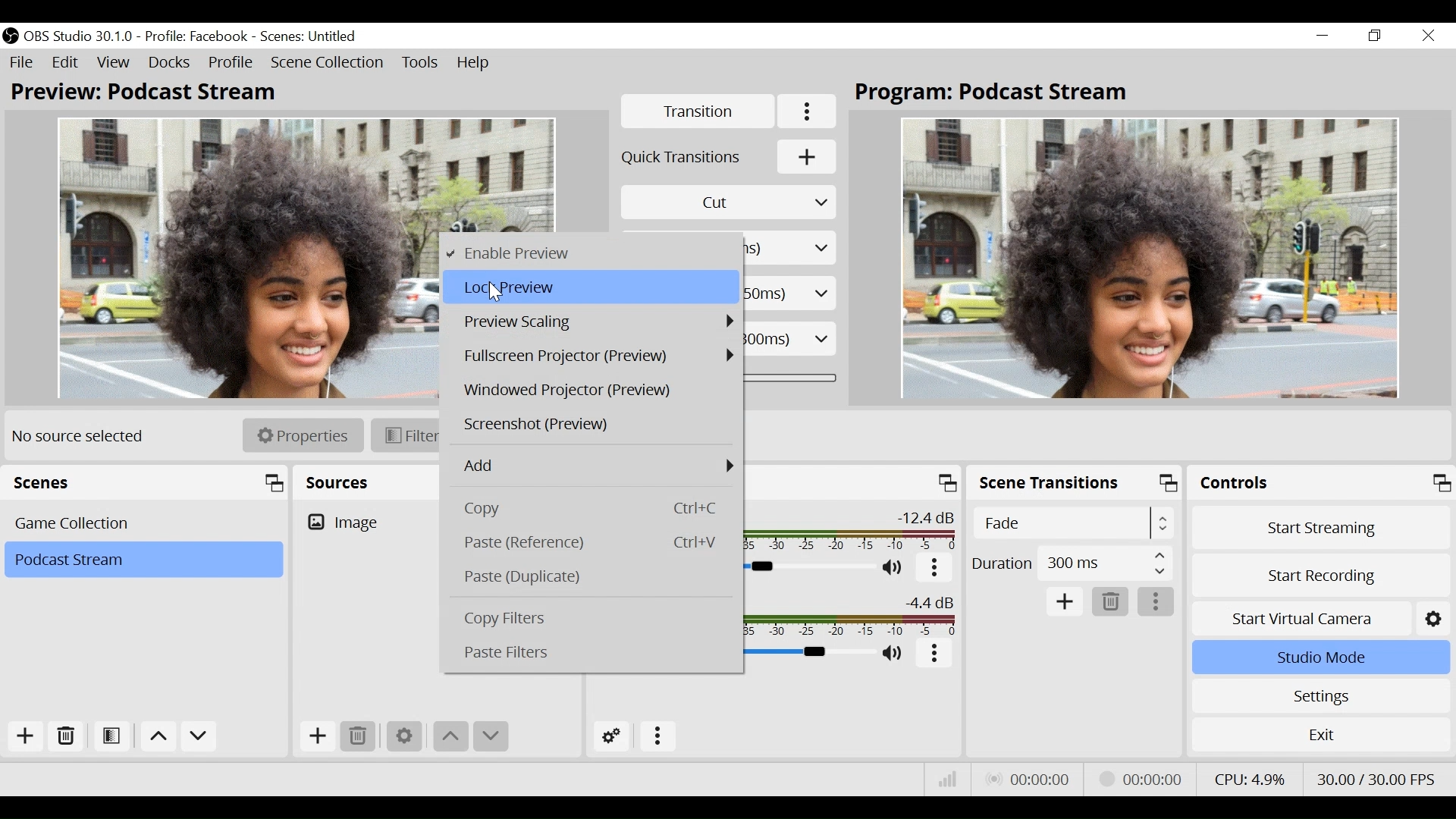 The image size is (1456, 819). Describe the element at coordinates (303, 435) in the screenshot. I see `Properties` at that location.